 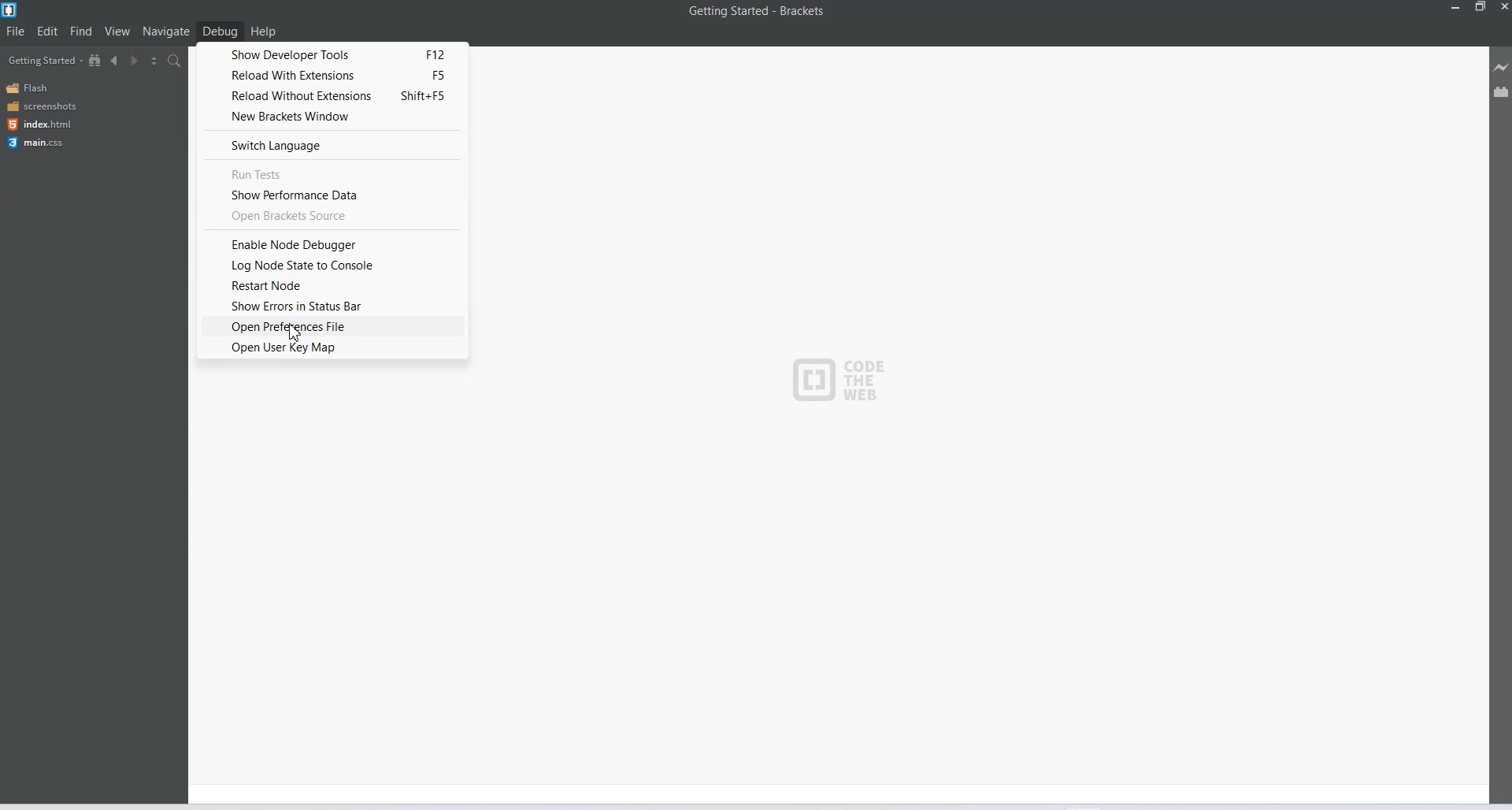 What do you see at coordinates (334, 53) in the screenshot?
I see `Show Developer Tools F12` at bounding box center [334, 53].